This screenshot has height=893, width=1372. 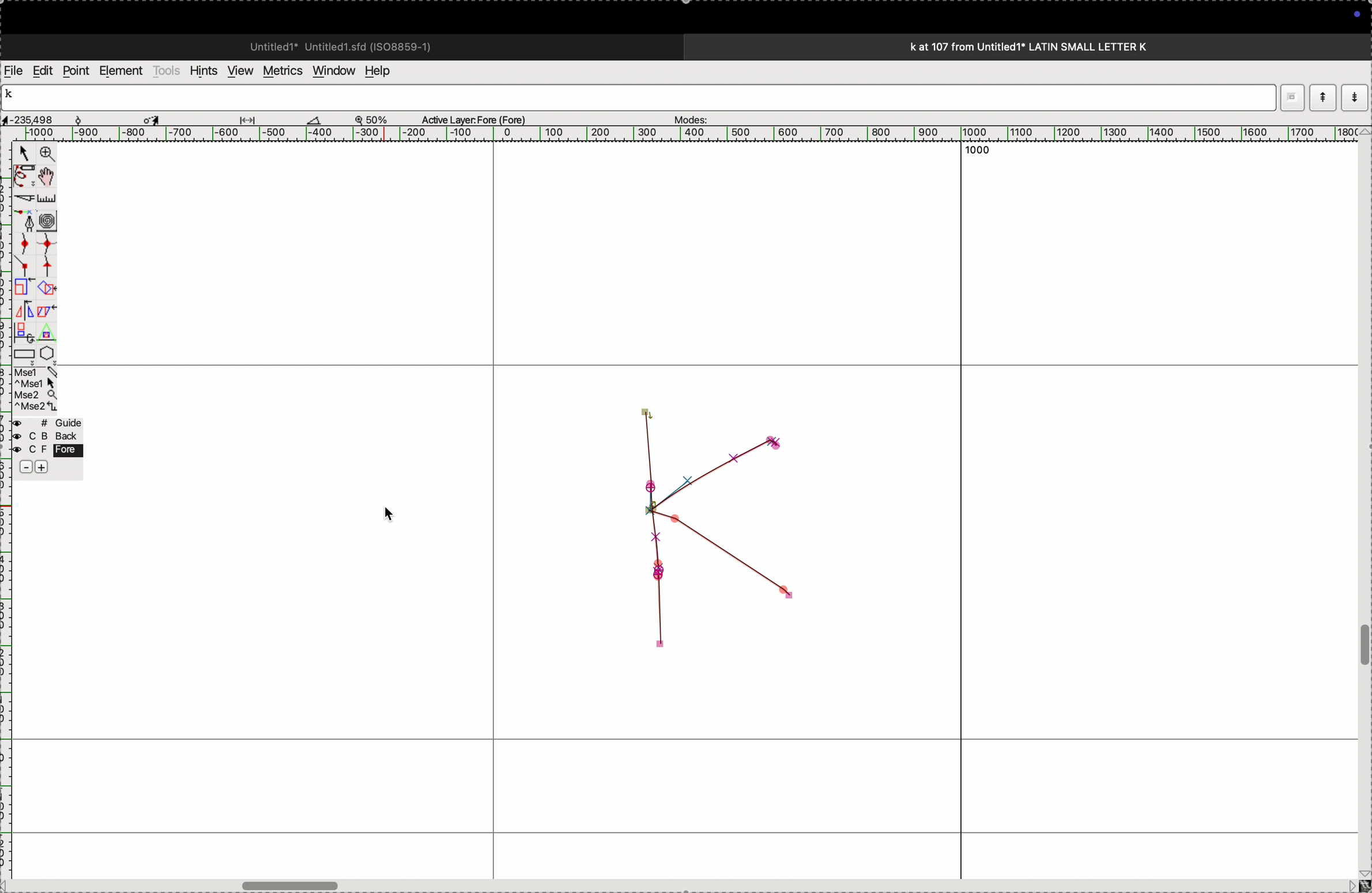 What do you see at coordinates (673, 134) in the screenshot?
I see `horizontal scale` at bounding box center [673, 134].